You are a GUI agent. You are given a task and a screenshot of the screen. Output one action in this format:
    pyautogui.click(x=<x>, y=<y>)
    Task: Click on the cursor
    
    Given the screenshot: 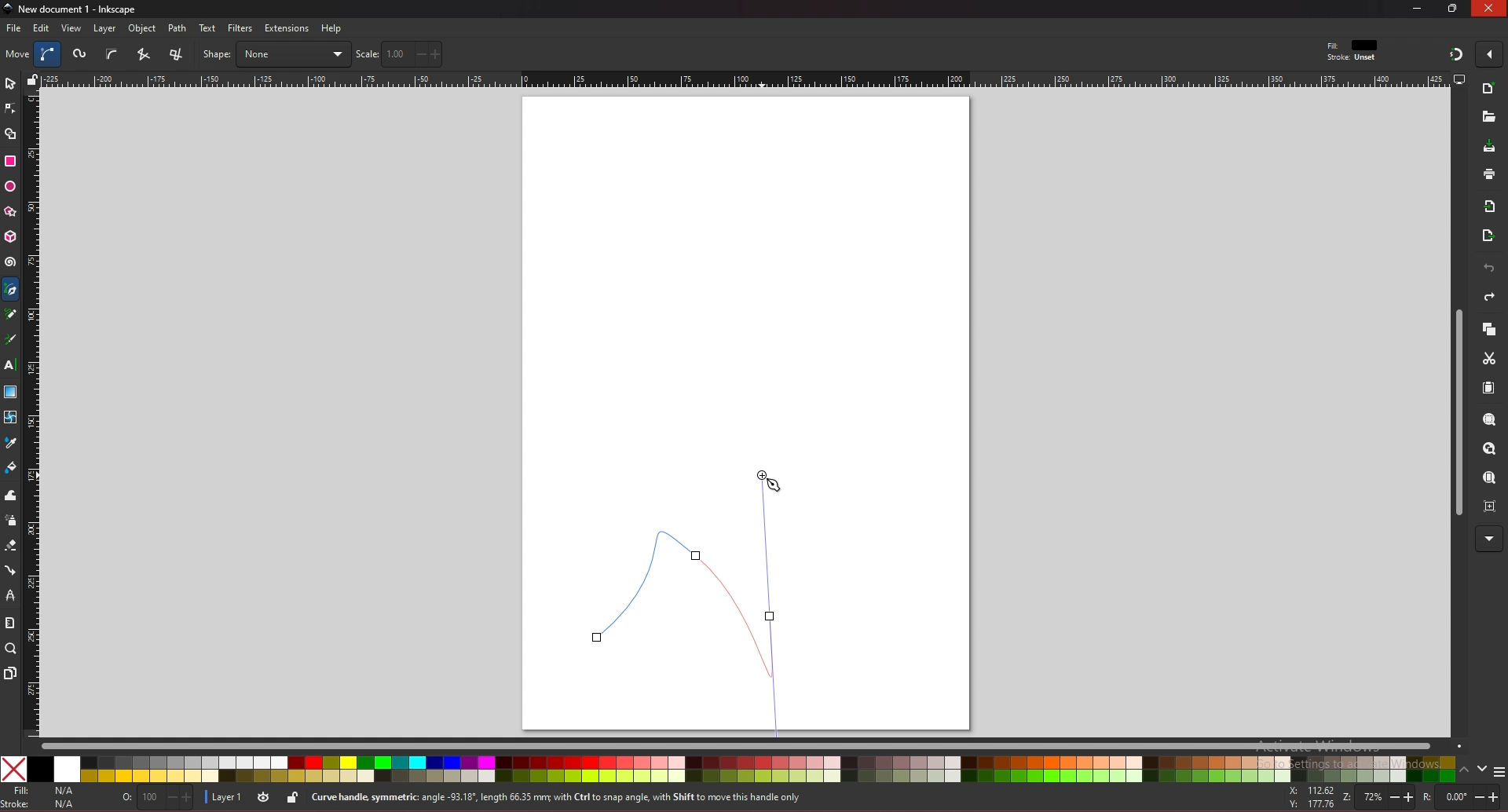 What is the action you would take?
    pyautogui.click(x=774, y=481)
    